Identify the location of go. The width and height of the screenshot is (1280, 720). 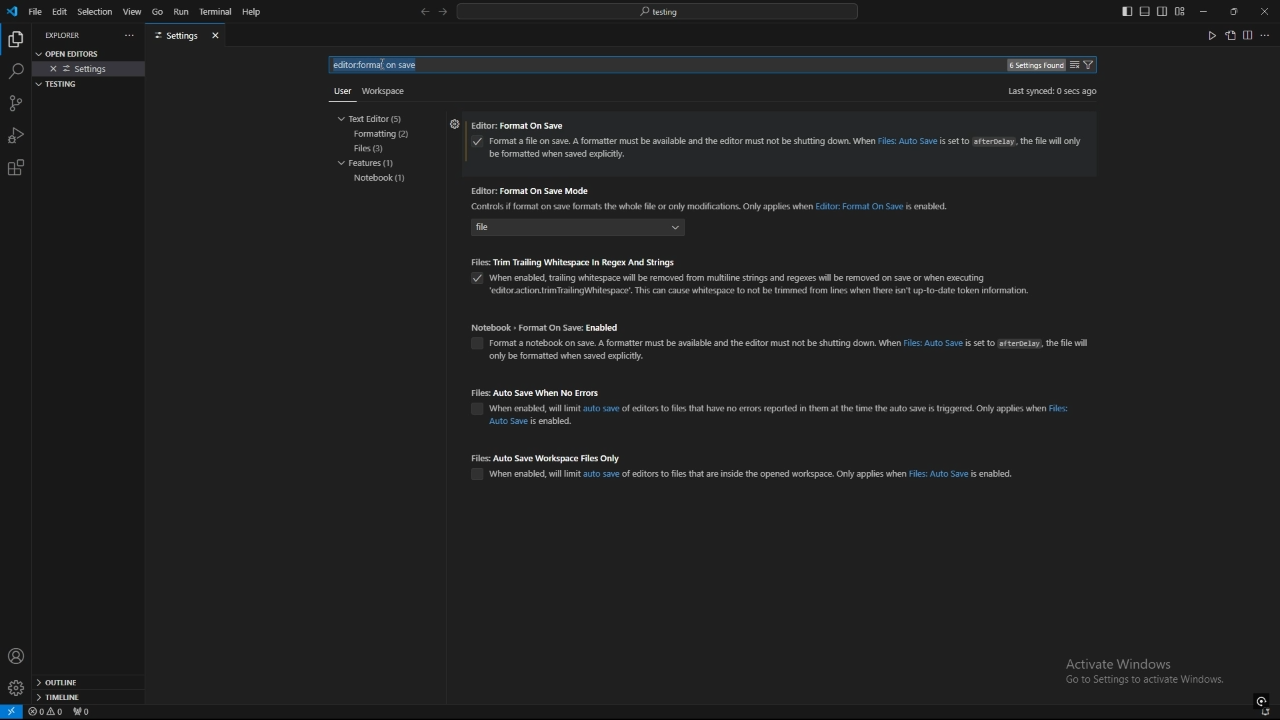
(157, 12).